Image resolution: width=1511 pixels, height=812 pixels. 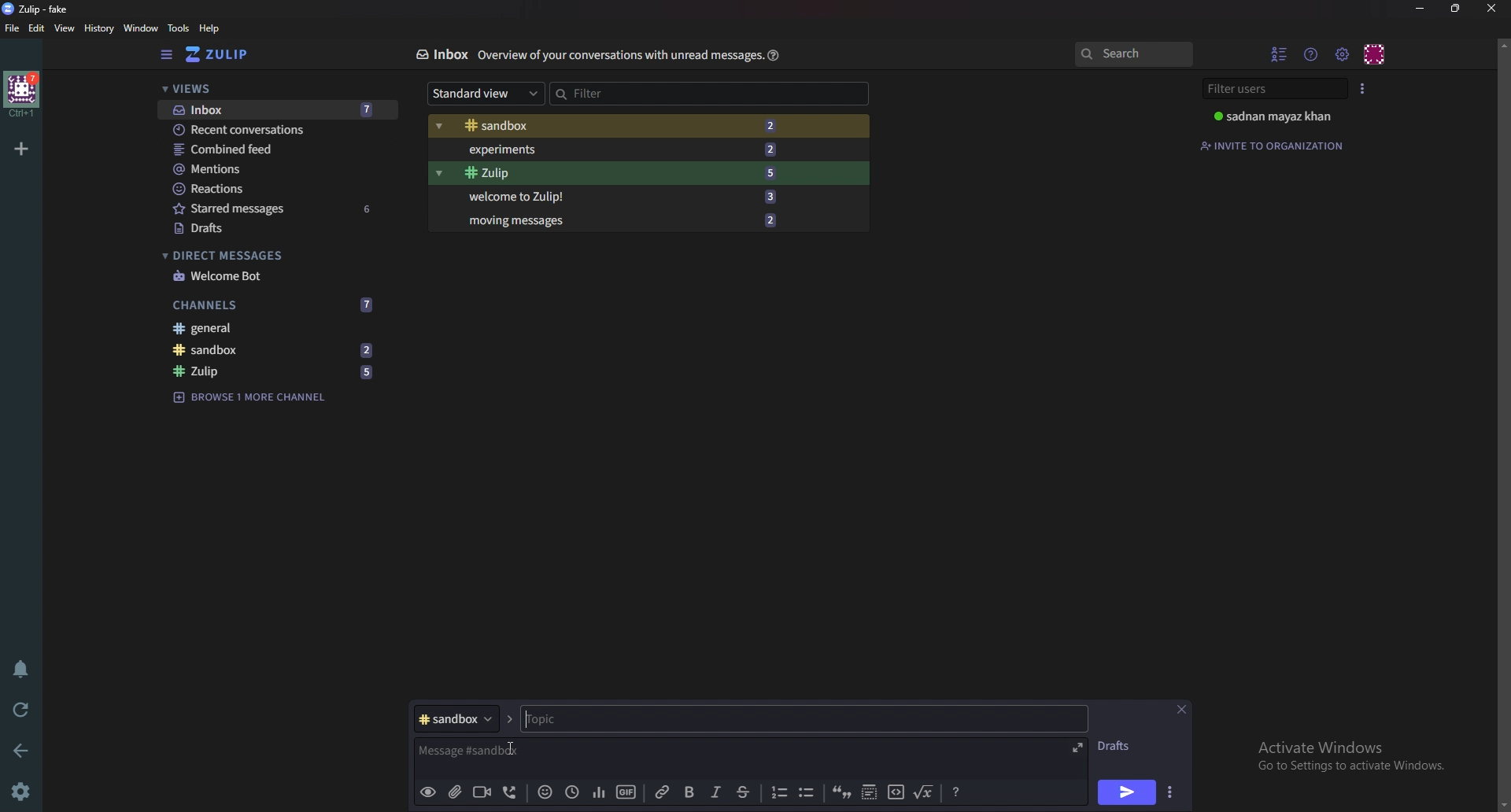 What do you see at coordinates (276, 111) in the screenshot?
I see `Inbox` at bounding box center [276, 111].